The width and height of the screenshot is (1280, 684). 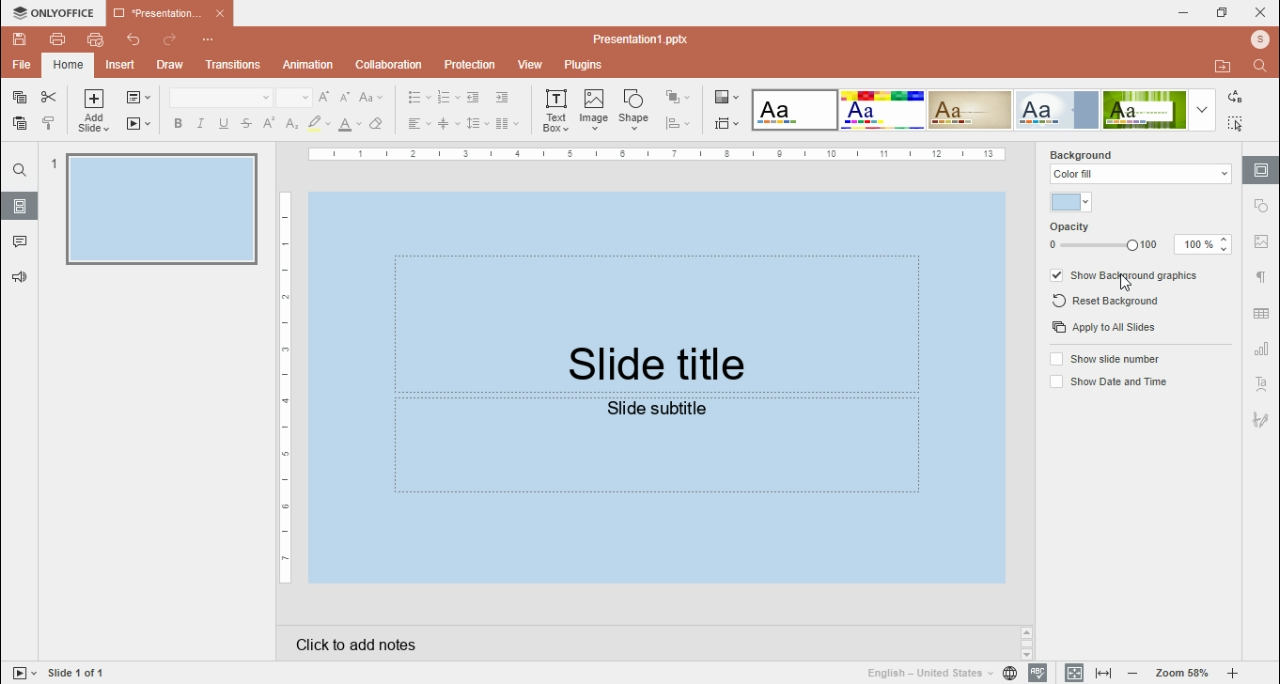 I want to click on italics, so click(x=201, y=124).